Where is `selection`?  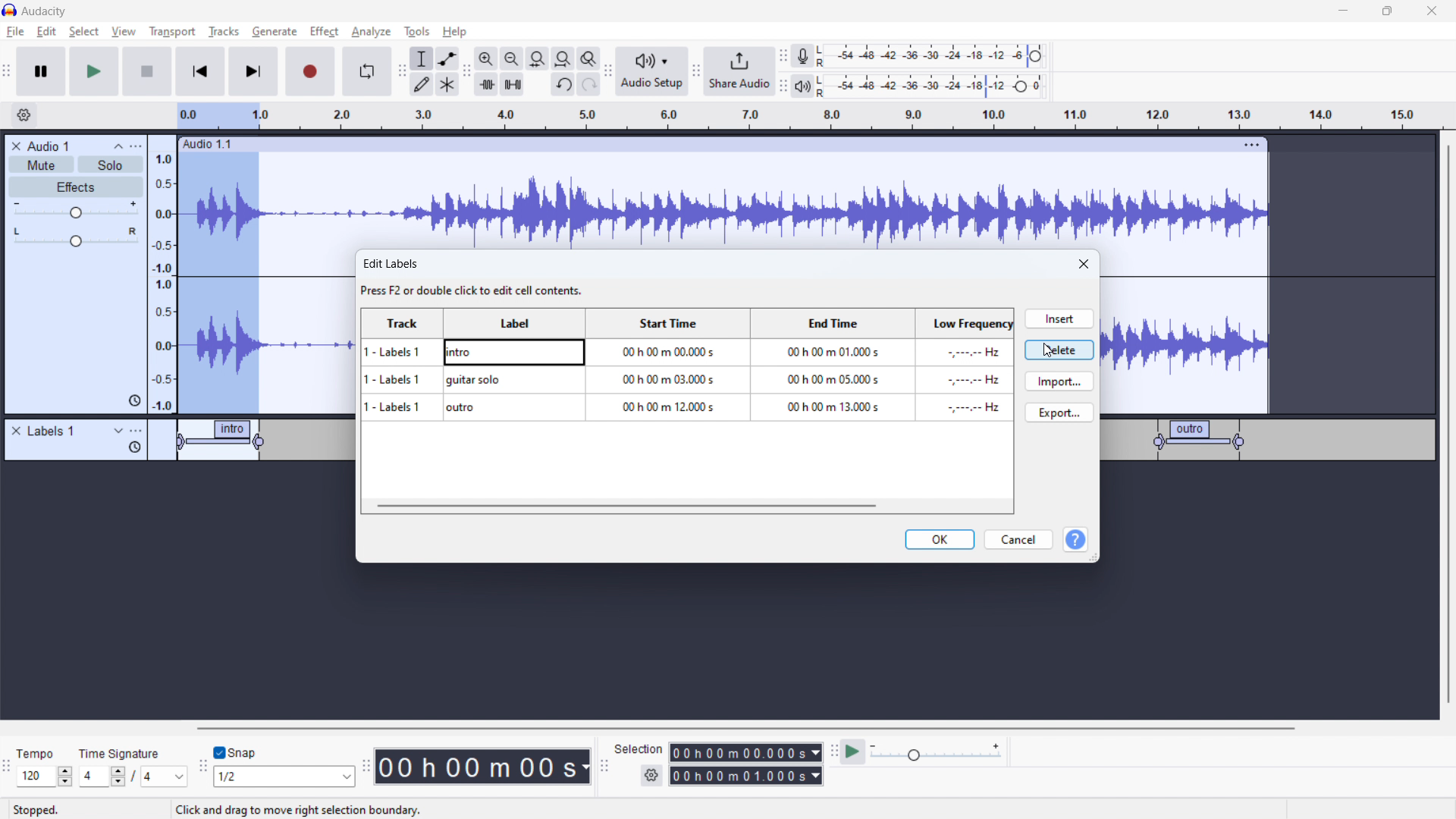 selection is located at coordinates (639, 749).